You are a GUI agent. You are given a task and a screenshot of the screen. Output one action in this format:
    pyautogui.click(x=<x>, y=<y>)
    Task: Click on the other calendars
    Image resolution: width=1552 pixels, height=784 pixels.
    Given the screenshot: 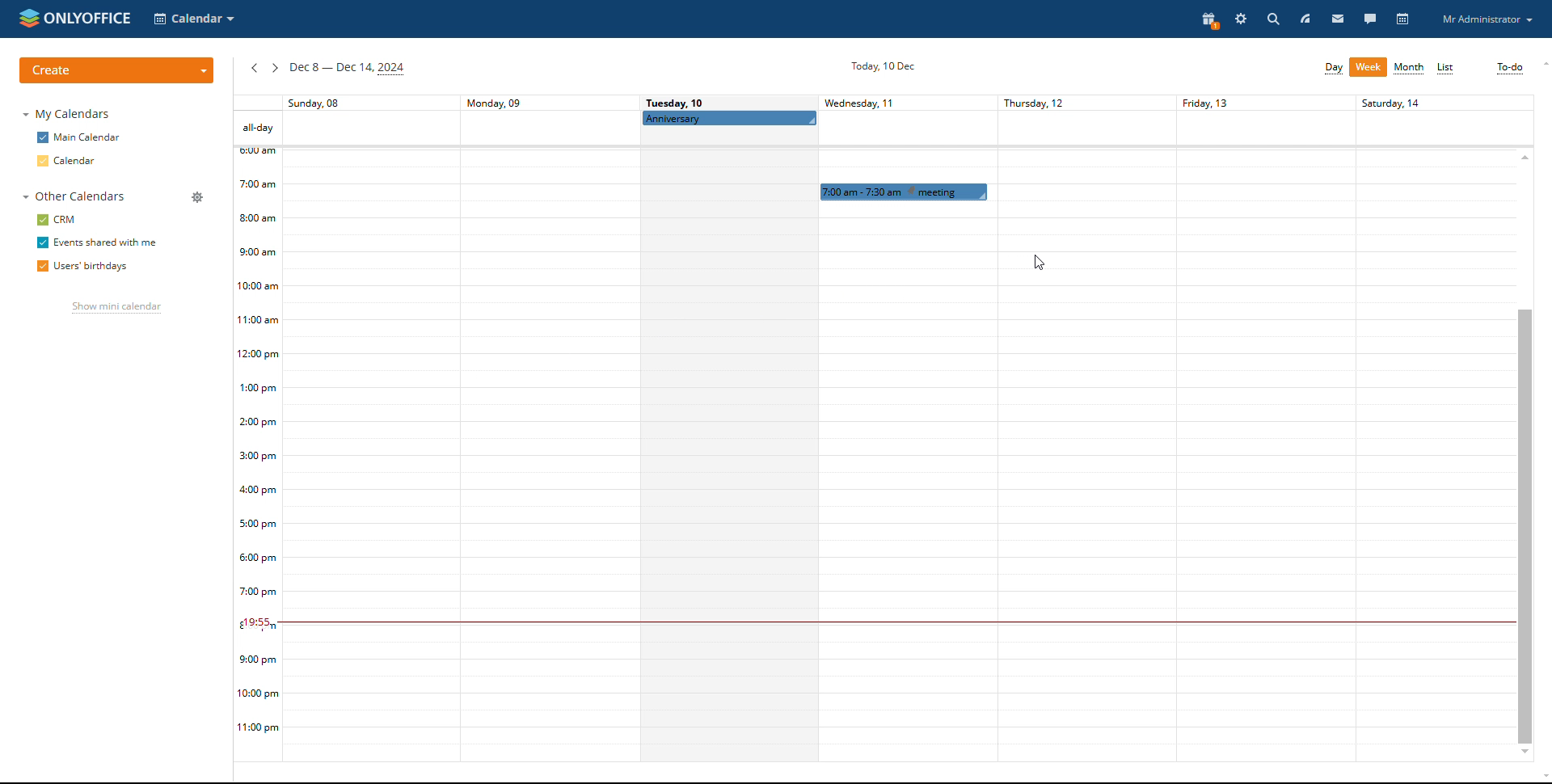 What is the action you would take?
    pyautogui.click(x=72, y=196)
    